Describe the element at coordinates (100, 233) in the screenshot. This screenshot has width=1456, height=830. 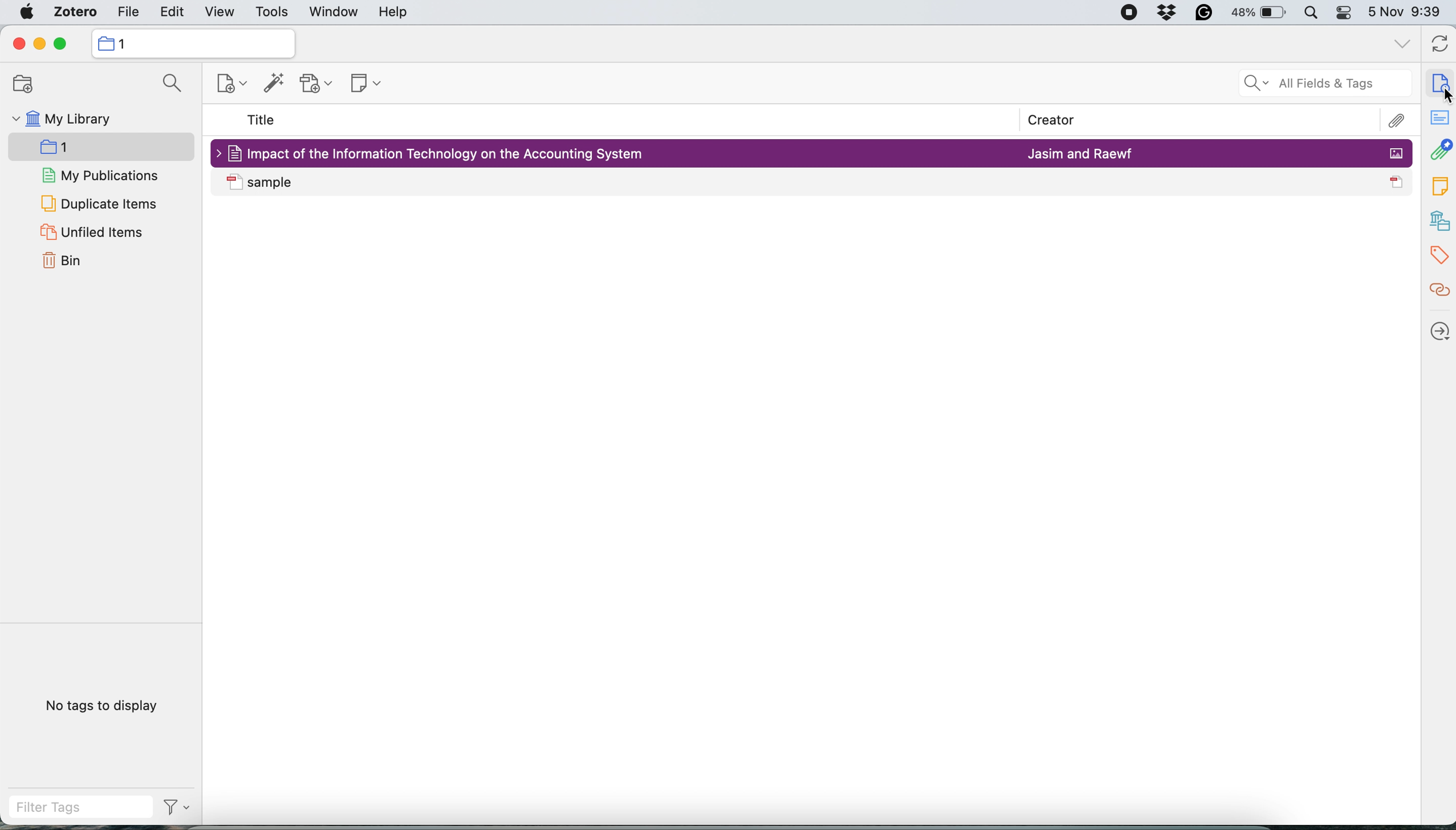
I see `unfiled items` at that location.